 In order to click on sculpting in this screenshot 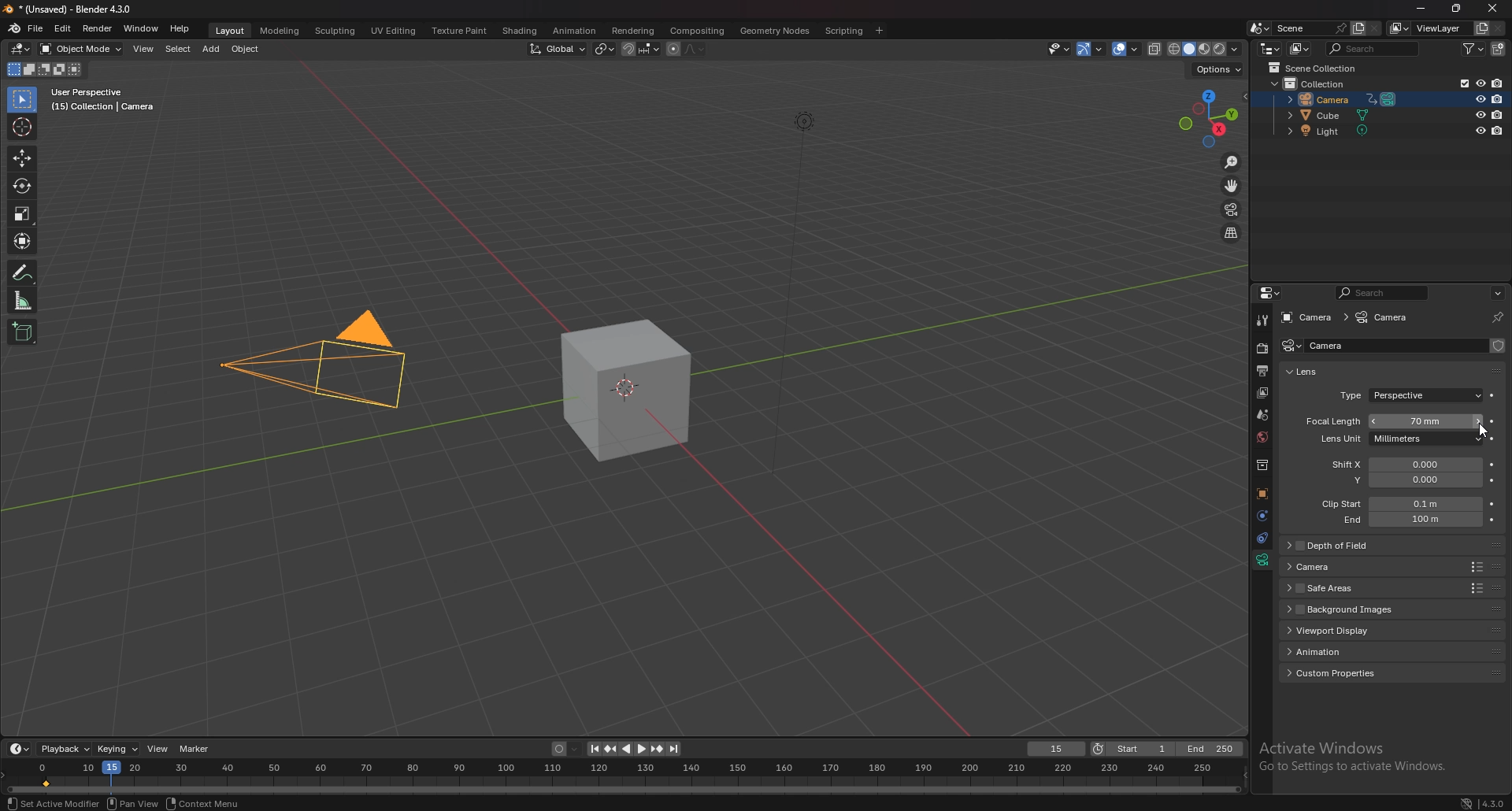, I will do `click(335, 31)`.